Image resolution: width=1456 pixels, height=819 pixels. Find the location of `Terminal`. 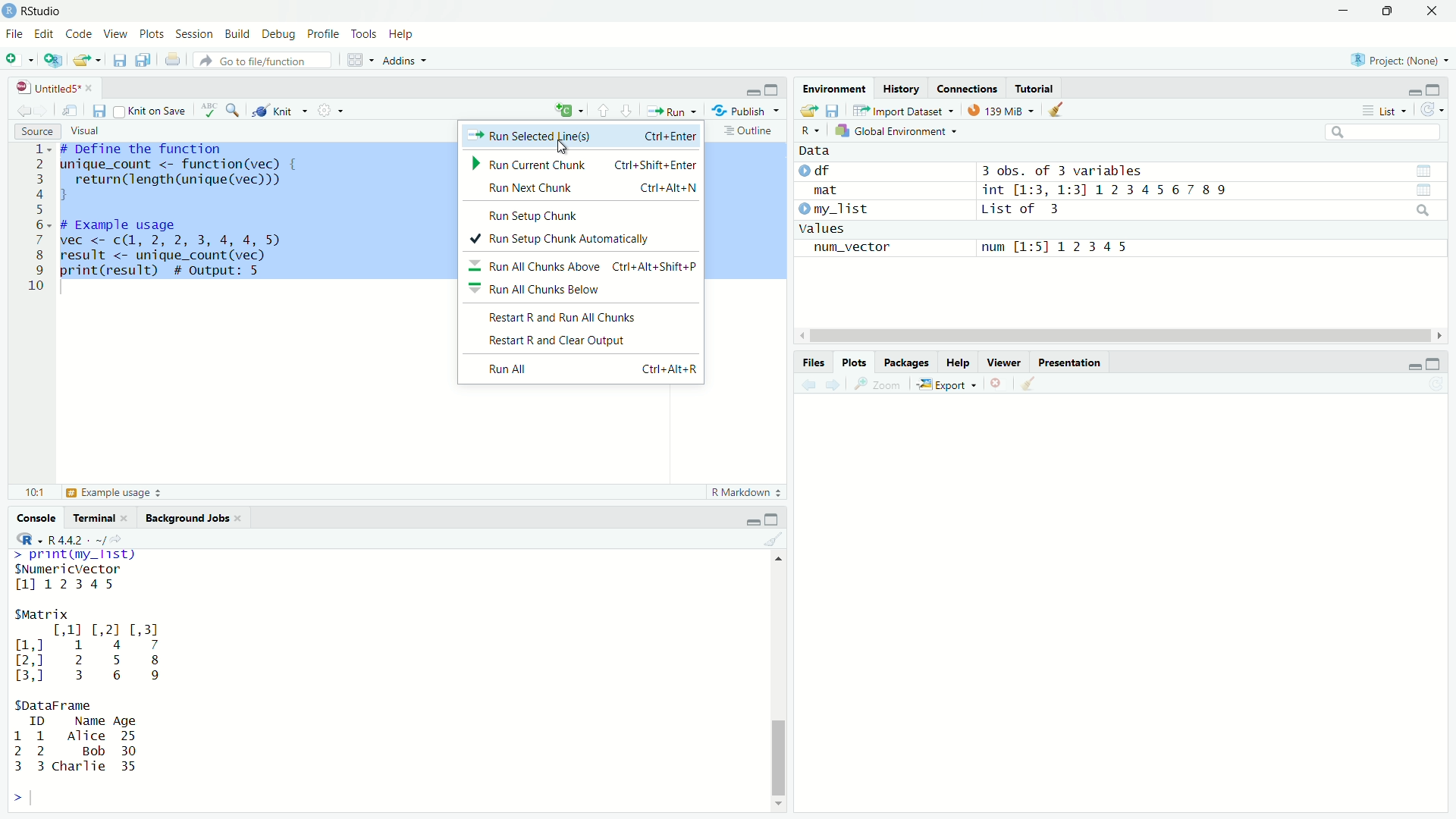

Terminal is located at coordinates (98, 519).